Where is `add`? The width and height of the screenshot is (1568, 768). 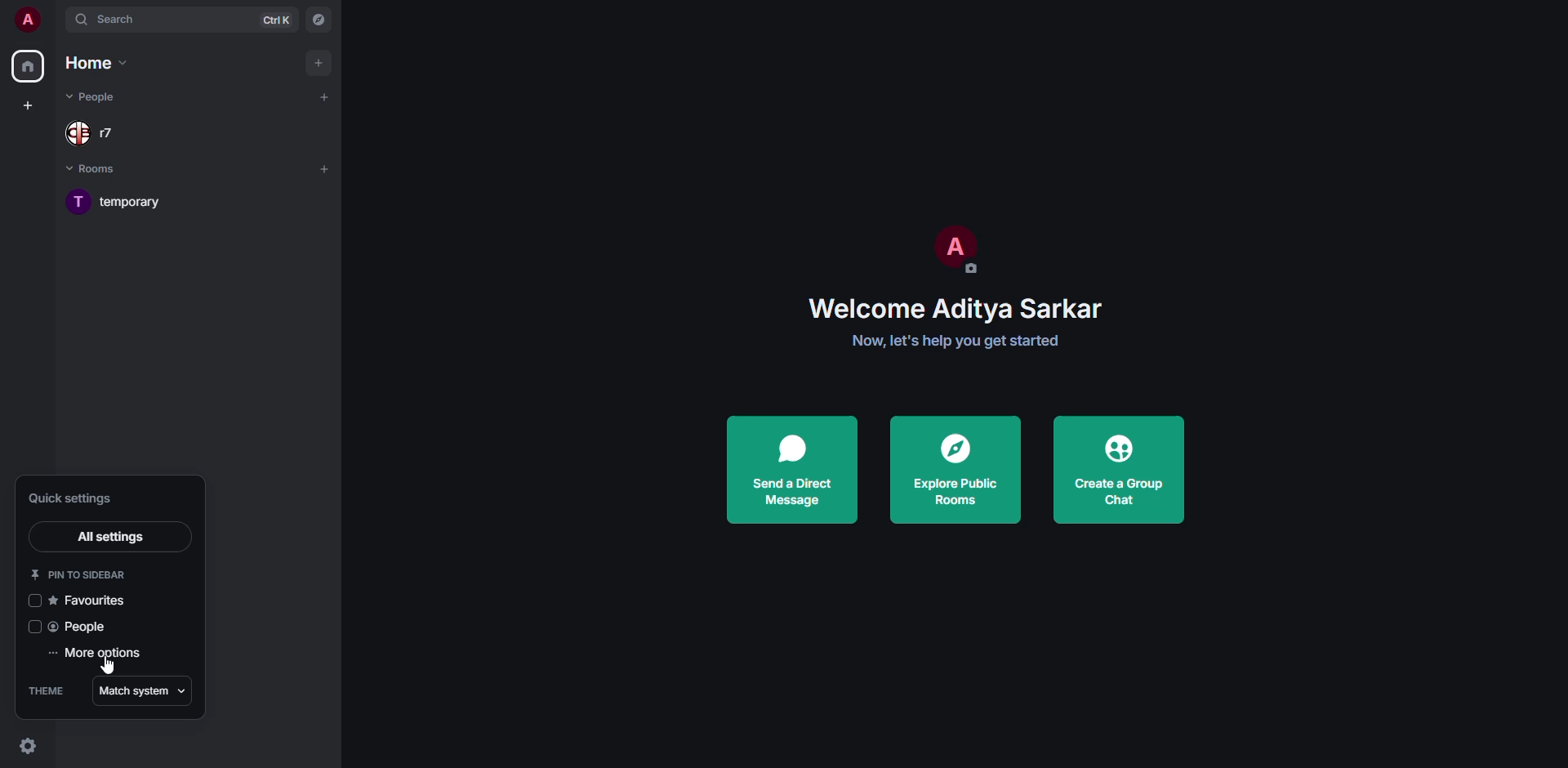 add is located at coordinates (326, 96).